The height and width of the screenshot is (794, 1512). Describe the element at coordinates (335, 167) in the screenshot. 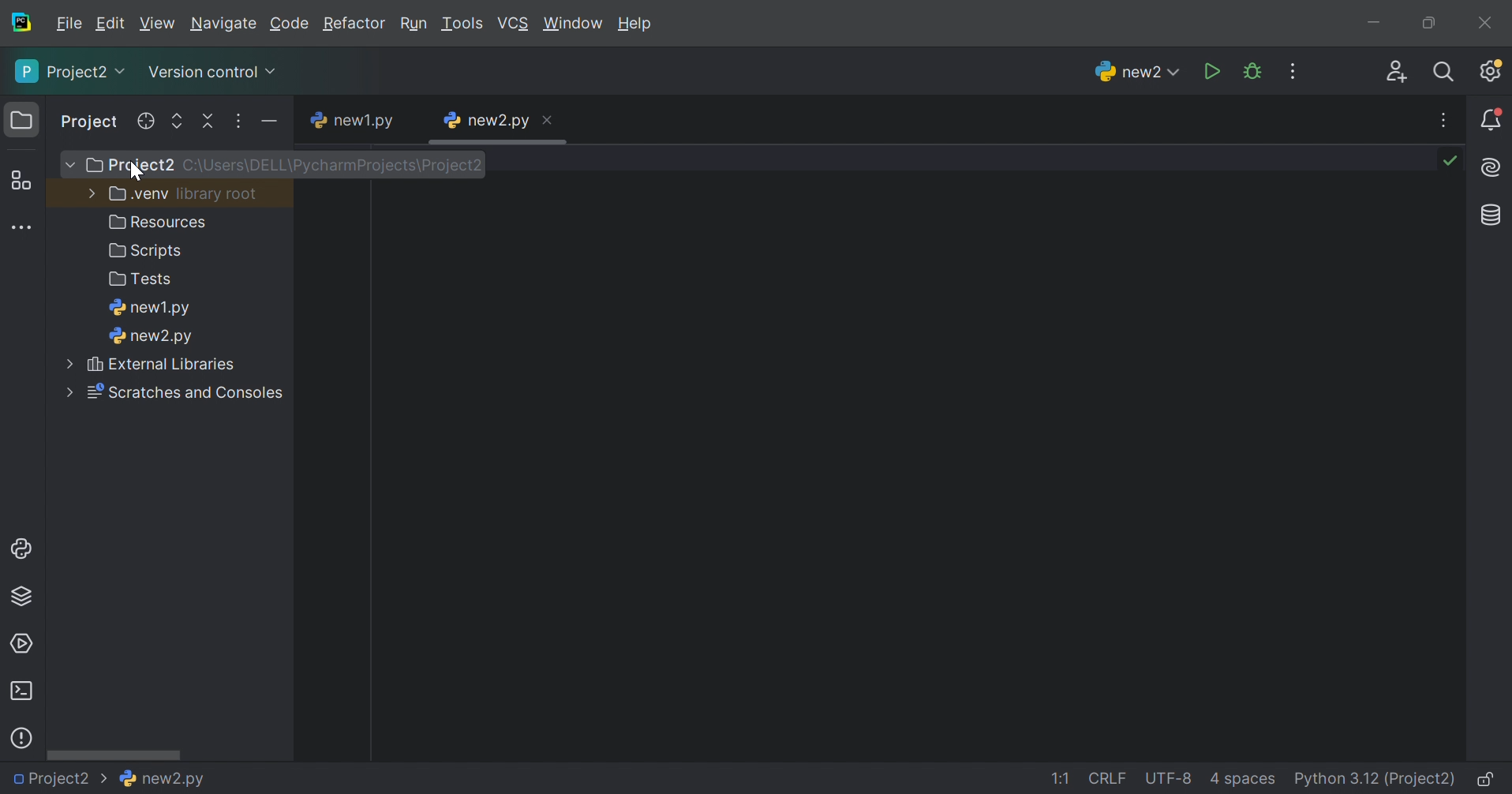

I see `C:\Users\DELL\PyCharmProjects\Project2` at that location.